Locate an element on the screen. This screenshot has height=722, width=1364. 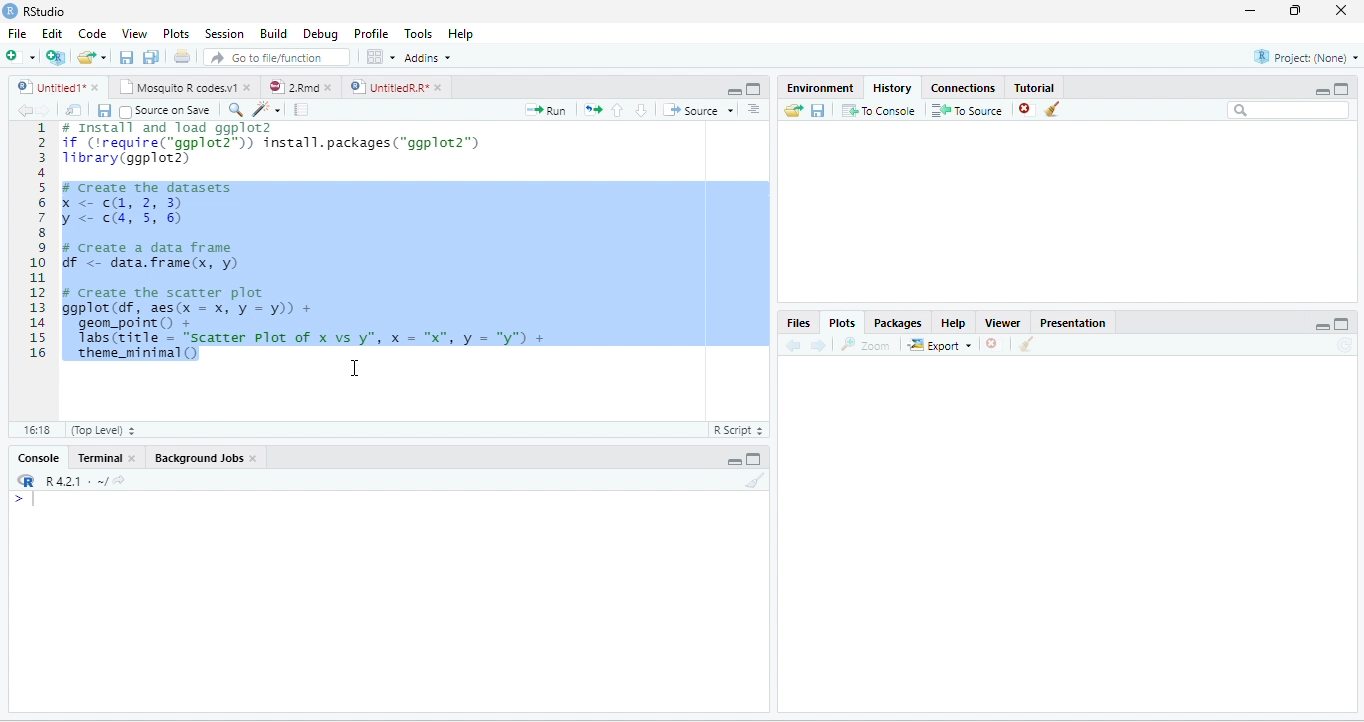
close is located at coordinates (246, 87).